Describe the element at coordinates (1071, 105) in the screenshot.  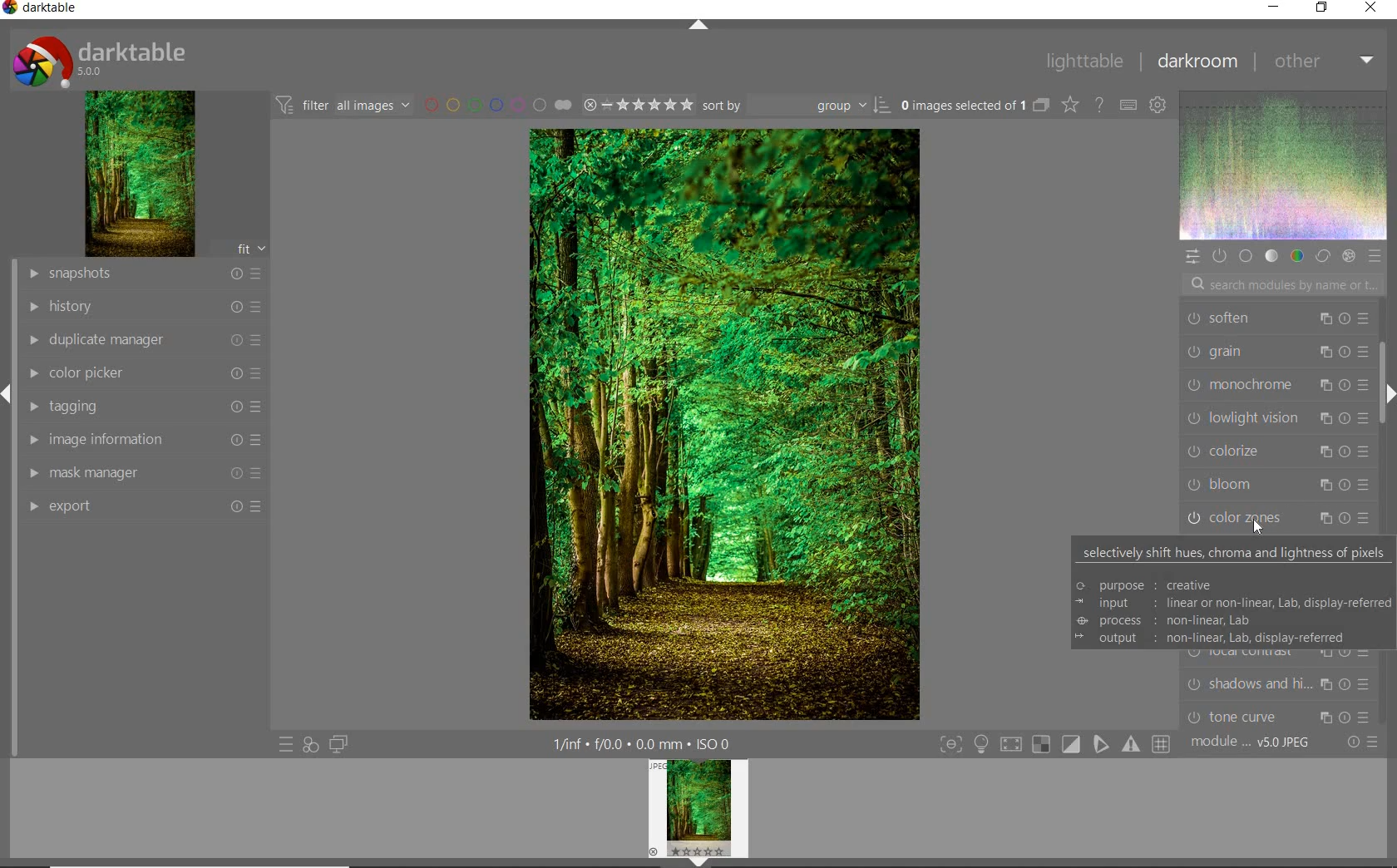
I see `CHANGE TYPE OVERRELAY` at that location.